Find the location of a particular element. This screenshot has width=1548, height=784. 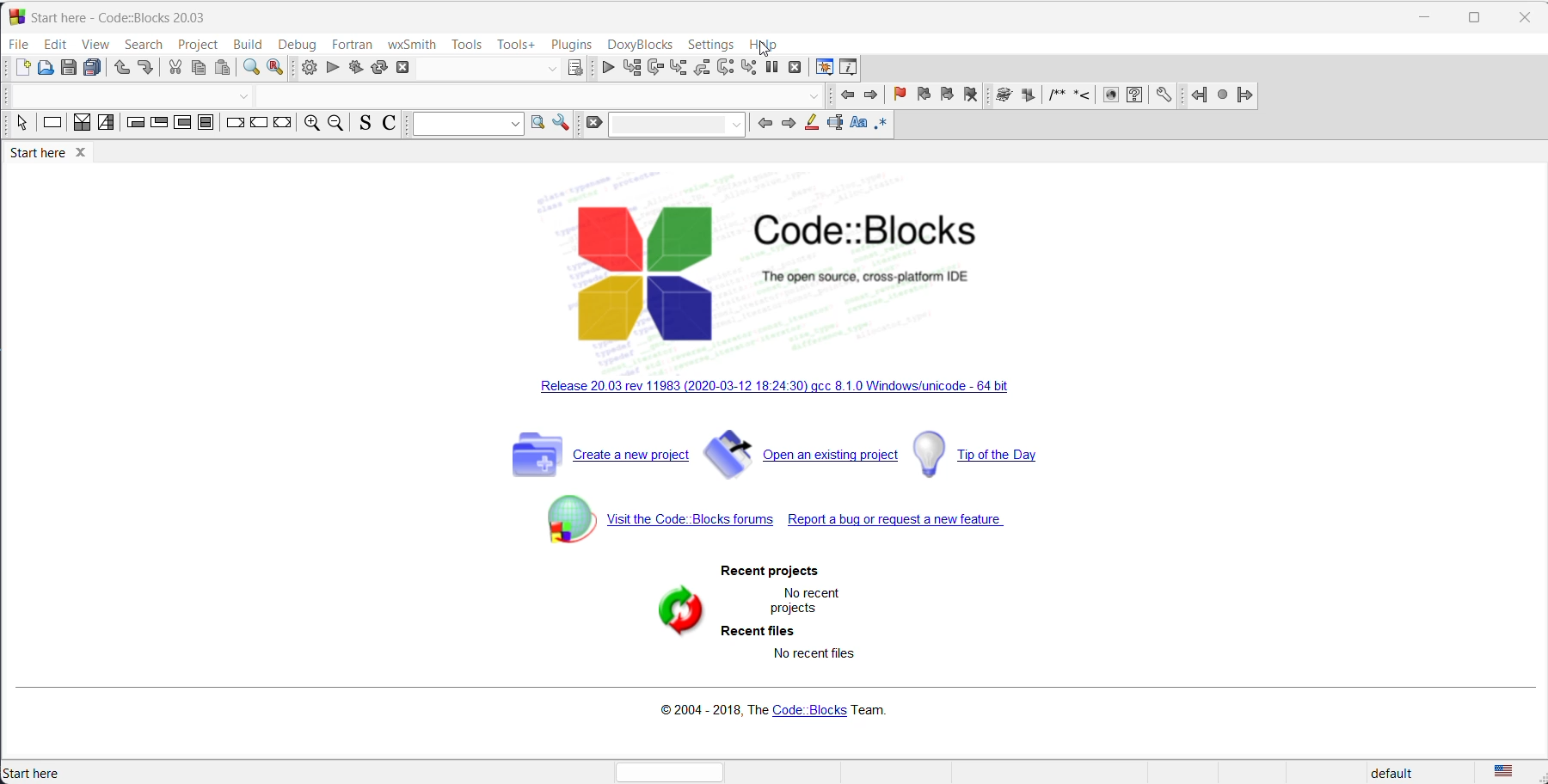

undo is located at coordinates (120, 70).